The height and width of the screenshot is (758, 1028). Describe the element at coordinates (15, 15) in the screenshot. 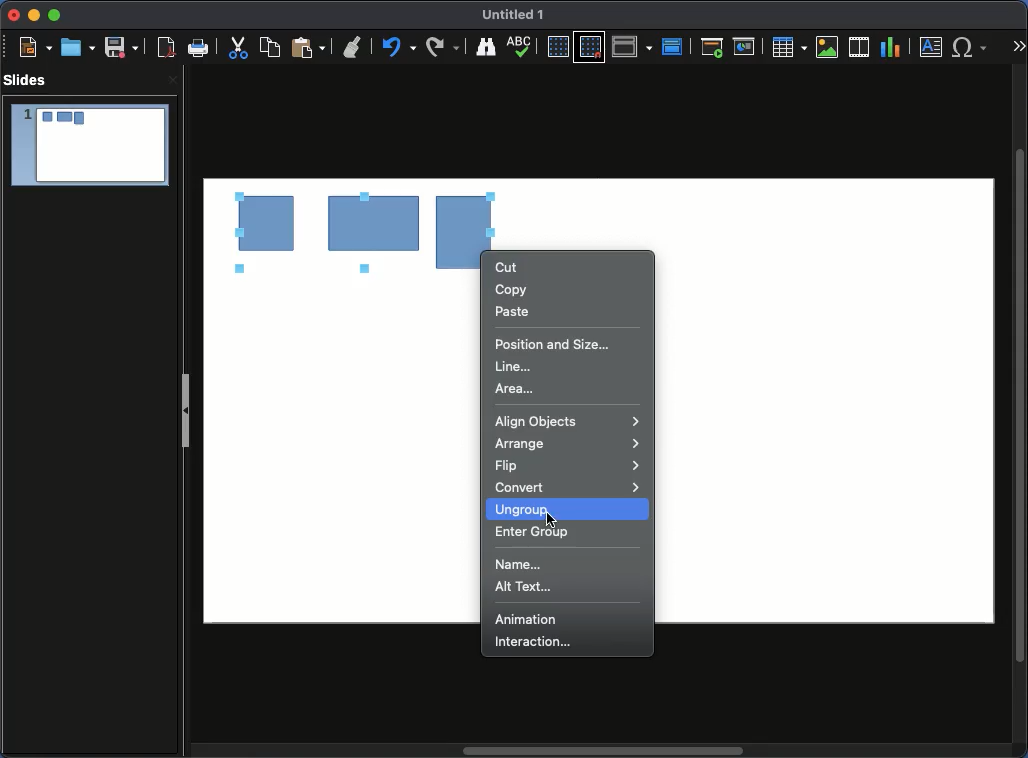

I see `Close` at that location.